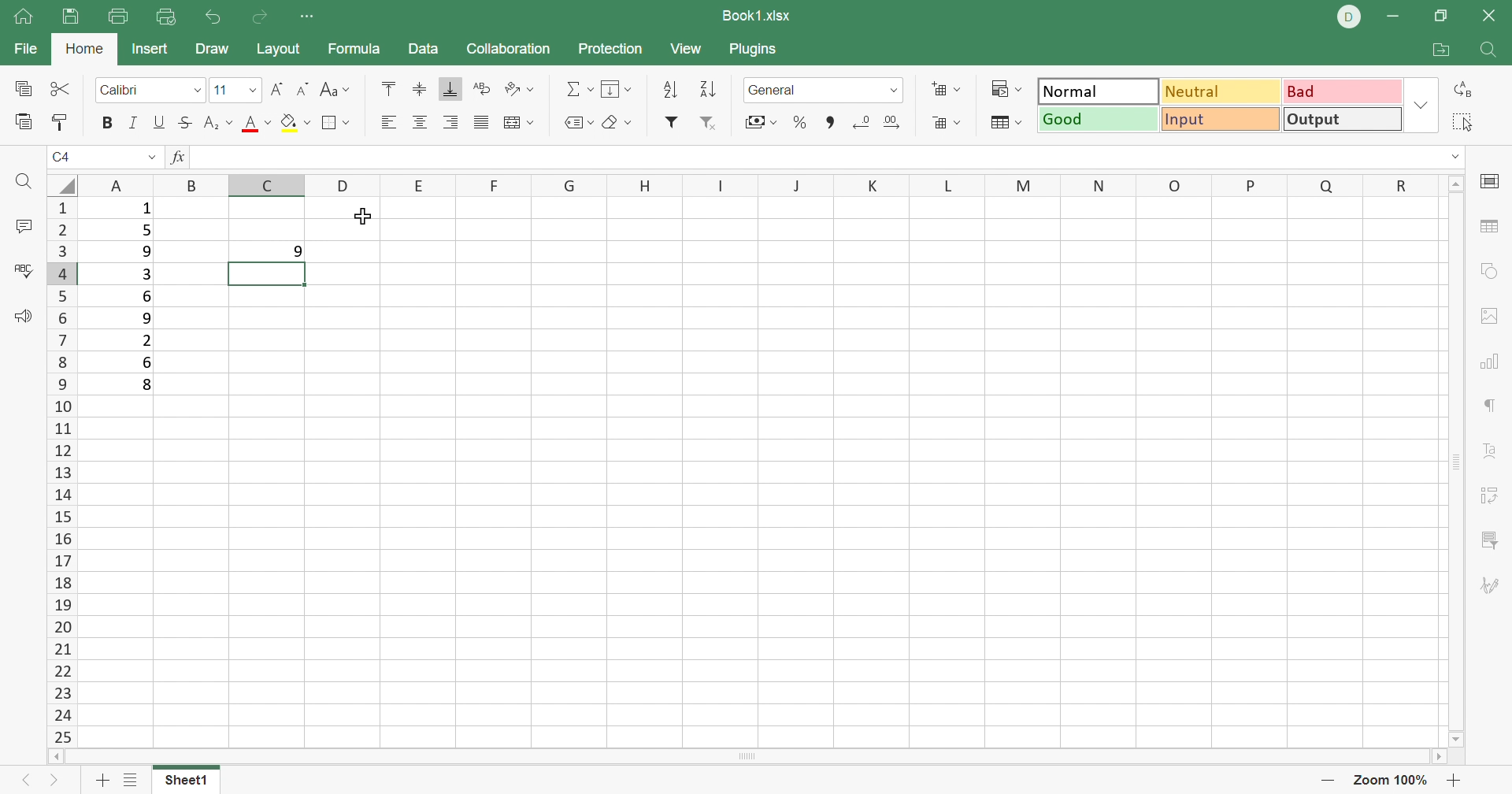 The image size is (1512, 794). Describe the element at coordinates (1440, 50) in the screenshot. I see `Open file location` at that location.